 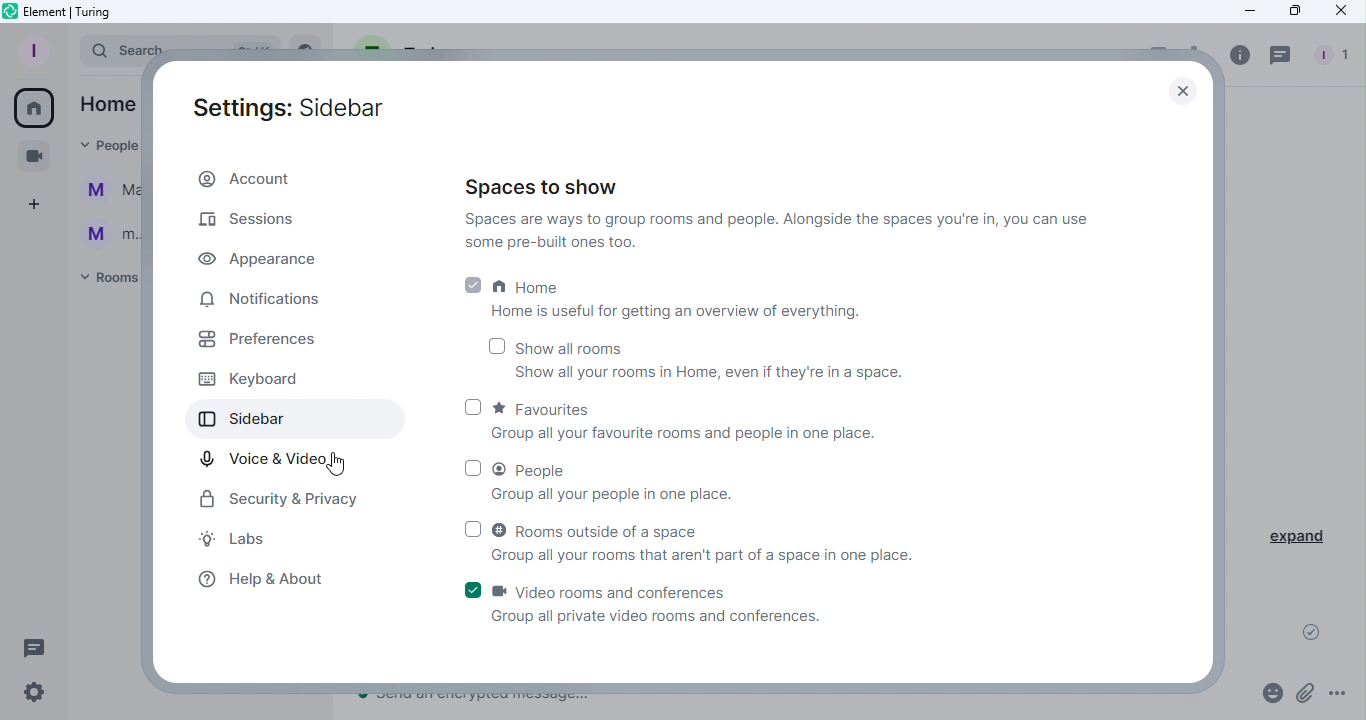 I want to click on Security and Privacy, so click(x=278, y=499).